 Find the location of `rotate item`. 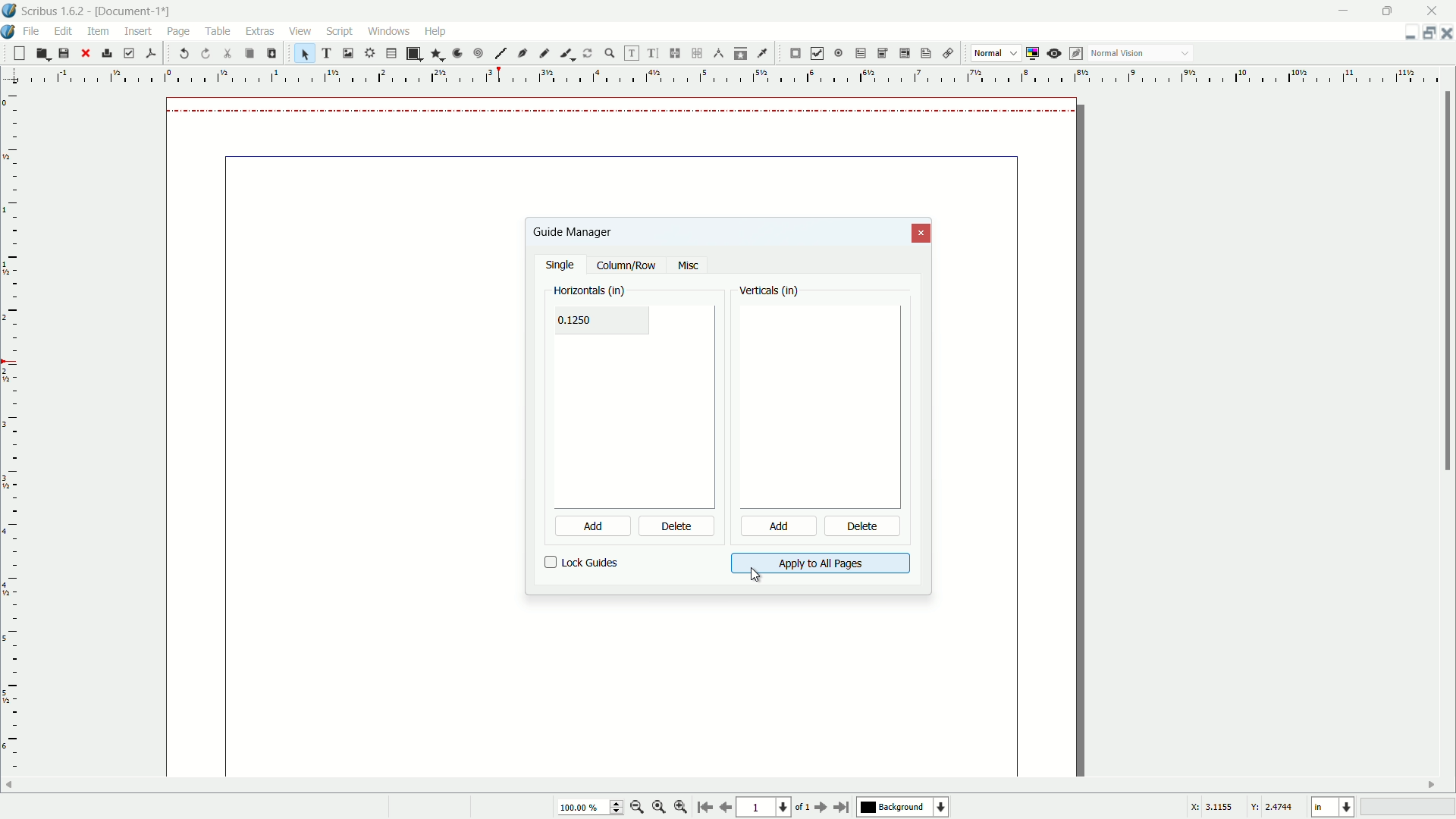

rotate item is located at coordinates (588, 53).